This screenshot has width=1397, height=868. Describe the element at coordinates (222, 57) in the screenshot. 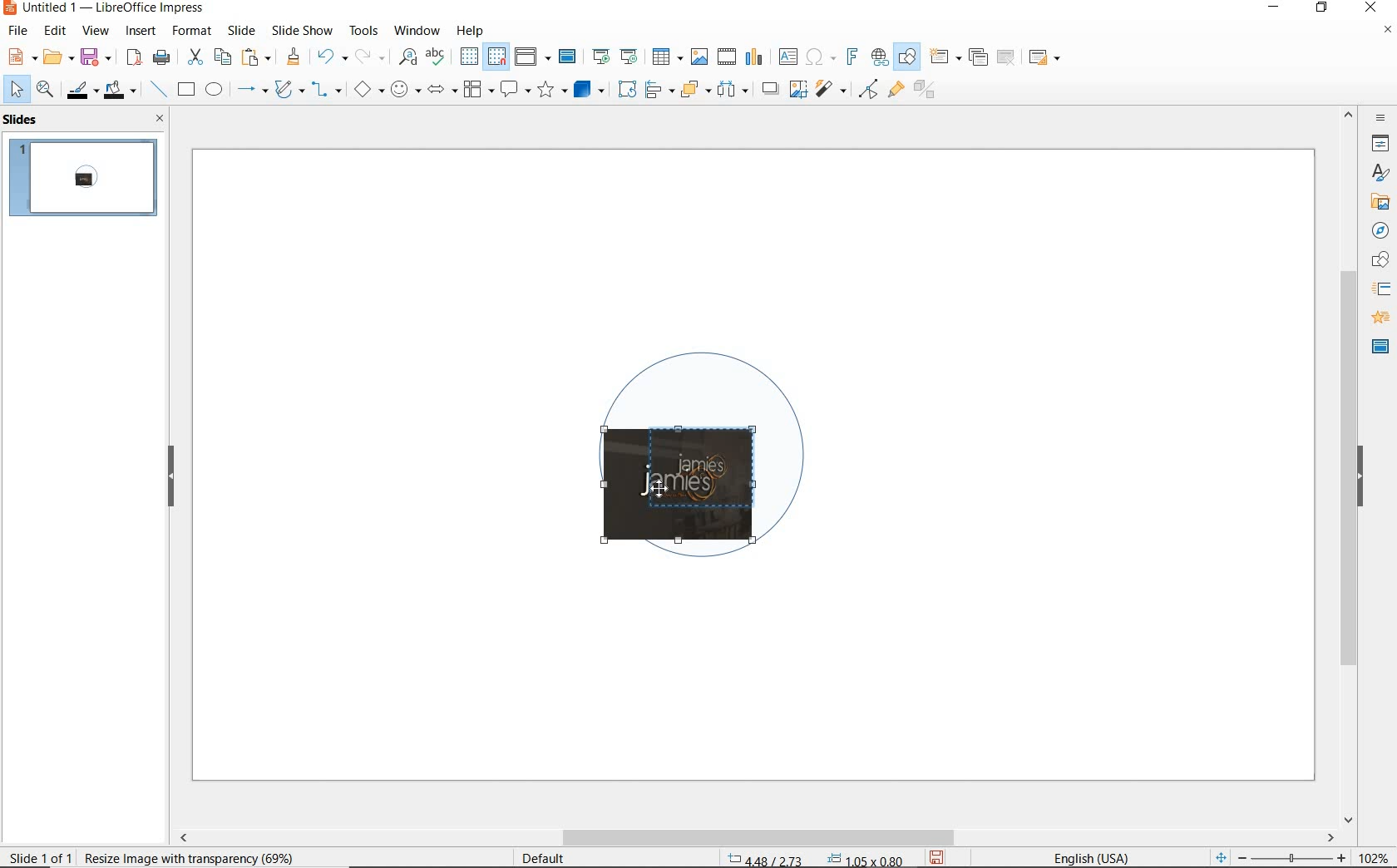

I see `copy` at that location.